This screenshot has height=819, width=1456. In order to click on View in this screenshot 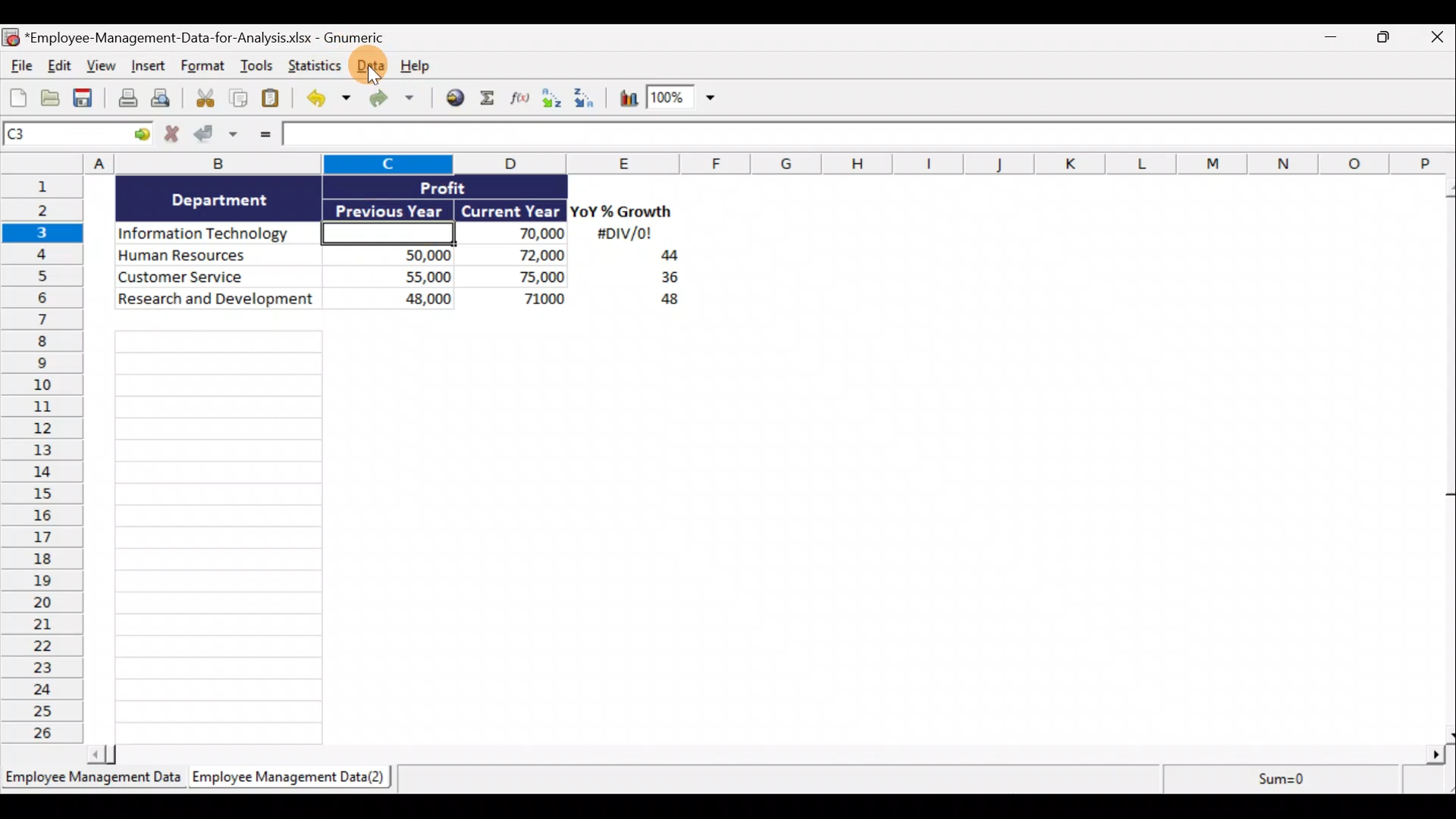, I will do `click(103, 67)`.